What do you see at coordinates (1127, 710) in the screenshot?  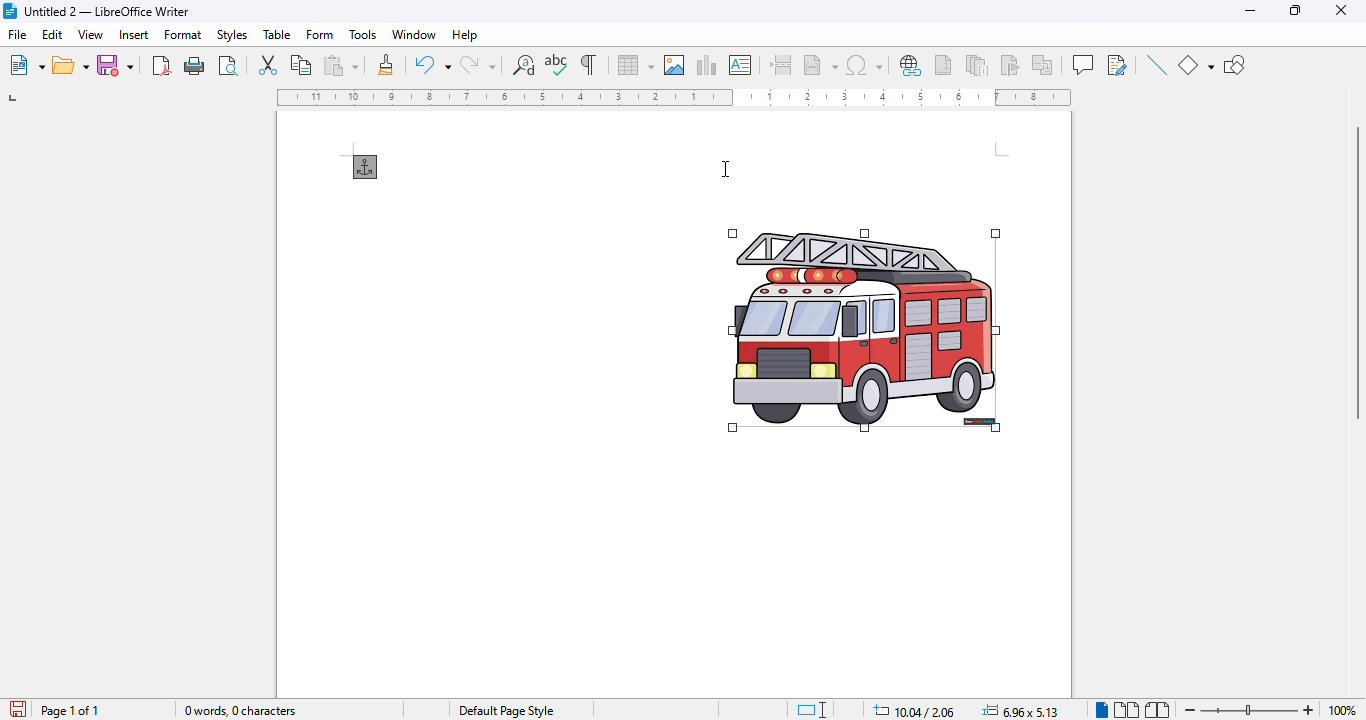 I see `multi-page view` at bounding box center [1127, 710].